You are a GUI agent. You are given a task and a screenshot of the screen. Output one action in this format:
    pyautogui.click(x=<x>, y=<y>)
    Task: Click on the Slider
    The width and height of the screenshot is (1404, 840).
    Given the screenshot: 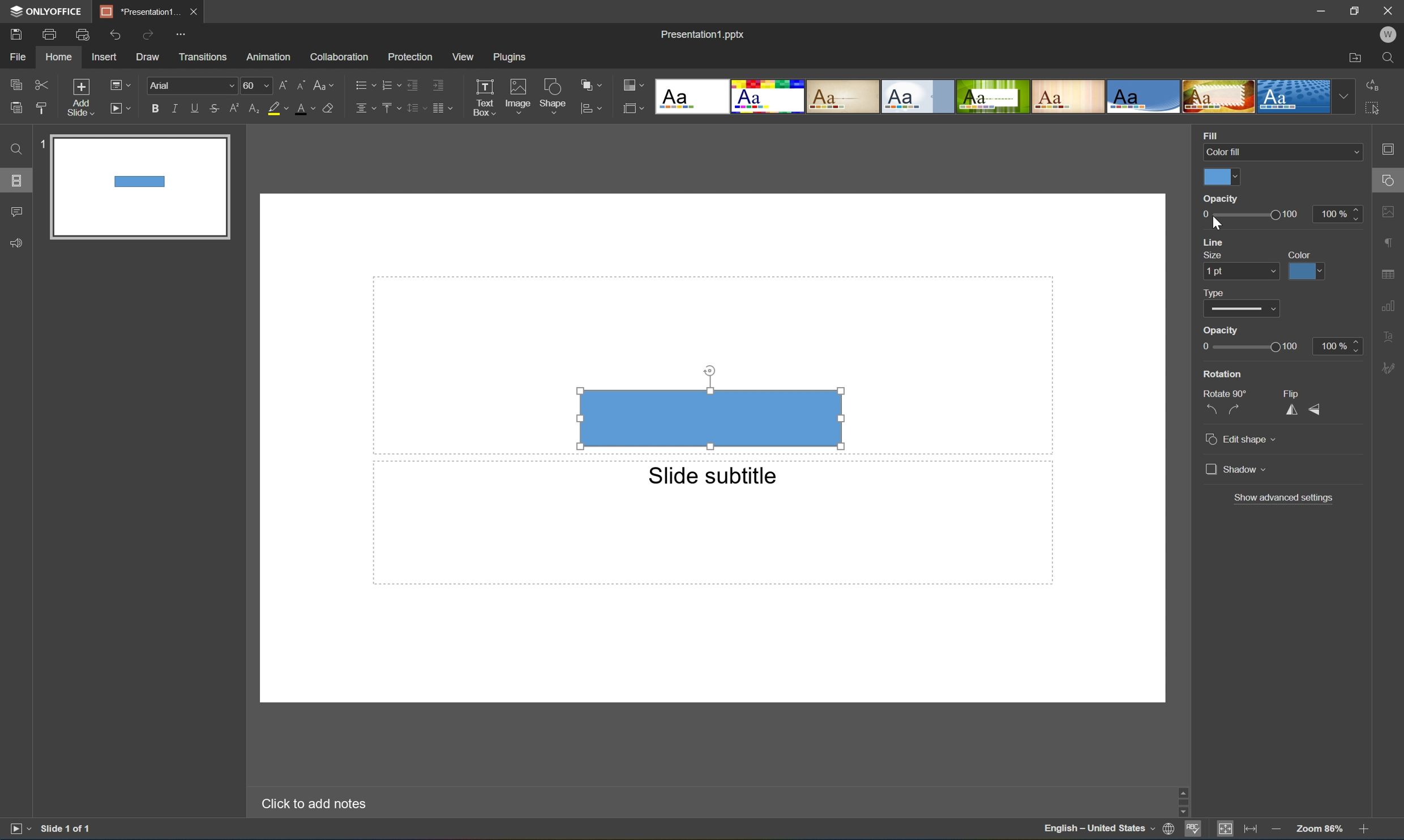 What is the action you would take?
    pyautogui.click(x=1254, y=346)
    